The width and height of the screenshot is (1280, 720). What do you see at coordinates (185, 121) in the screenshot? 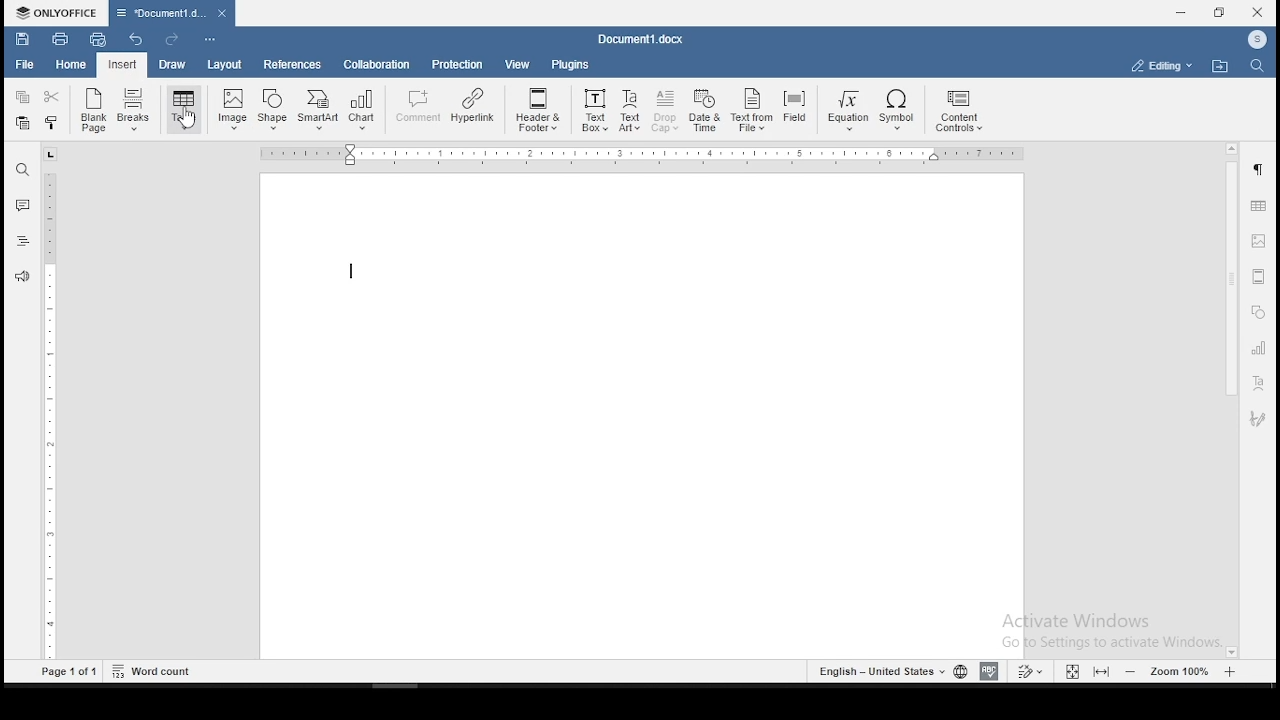
I see `cursor` at bounding box center [185, 121].